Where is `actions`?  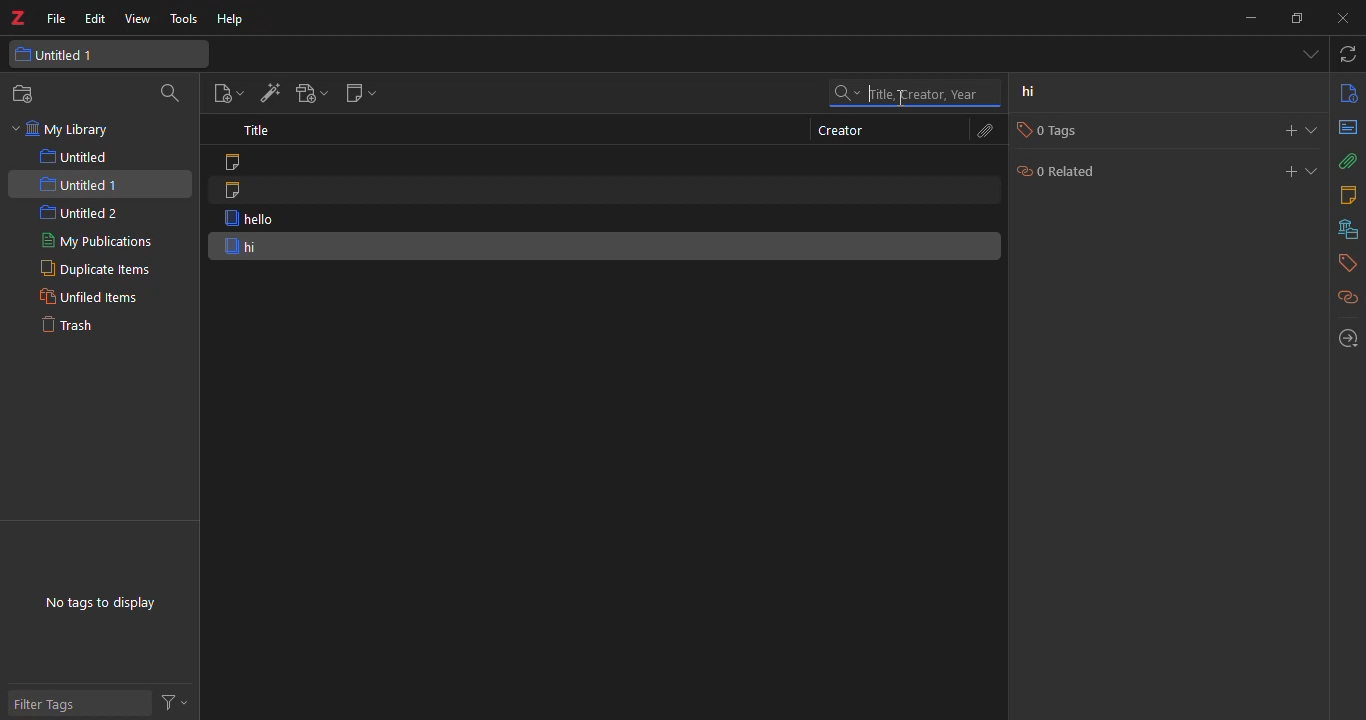 actions is located at coordinates (173, 700).